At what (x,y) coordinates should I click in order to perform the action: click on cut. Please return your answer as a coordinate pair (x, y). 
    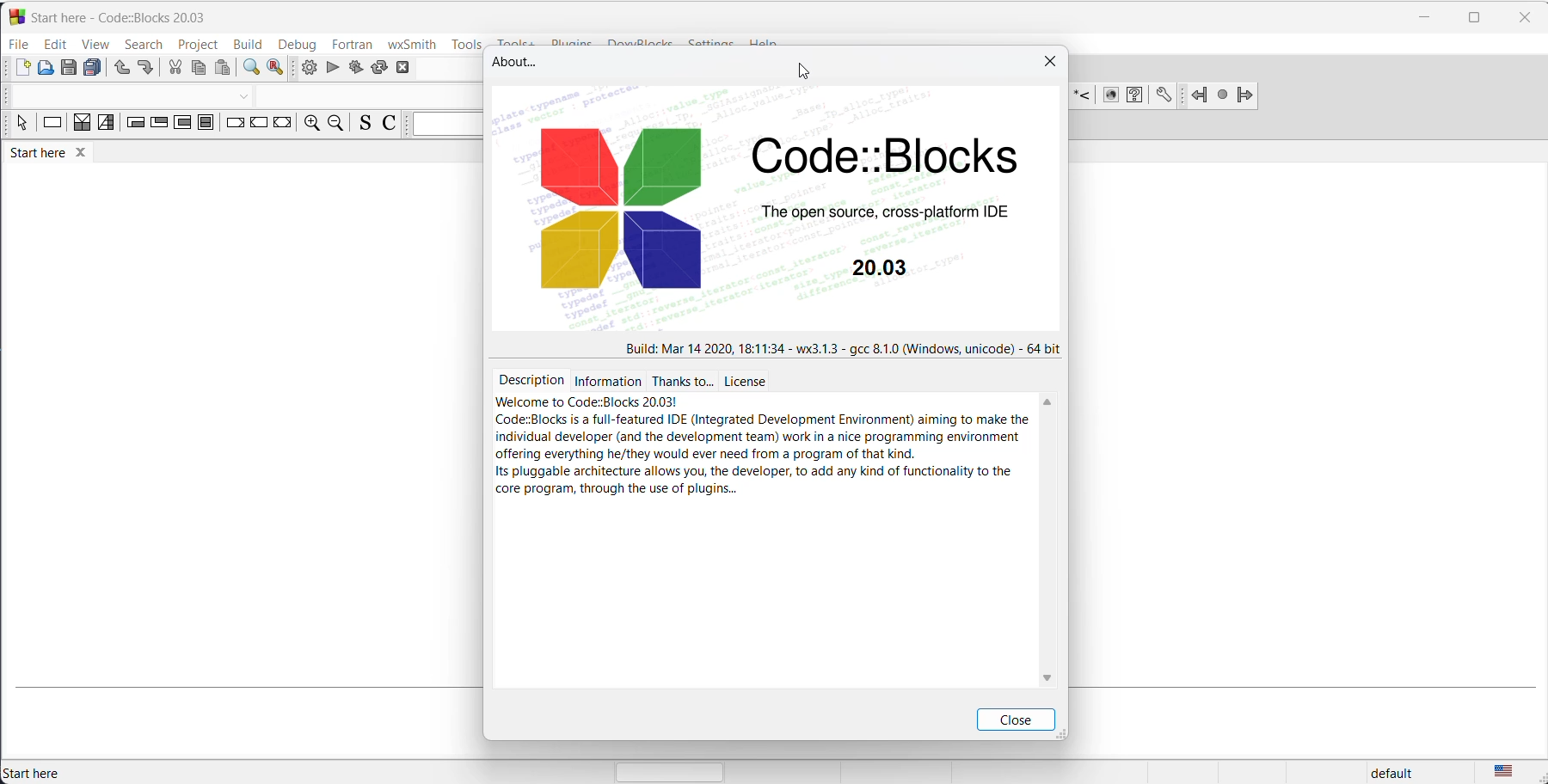
    Looking at the image, I should click on (173, 68).